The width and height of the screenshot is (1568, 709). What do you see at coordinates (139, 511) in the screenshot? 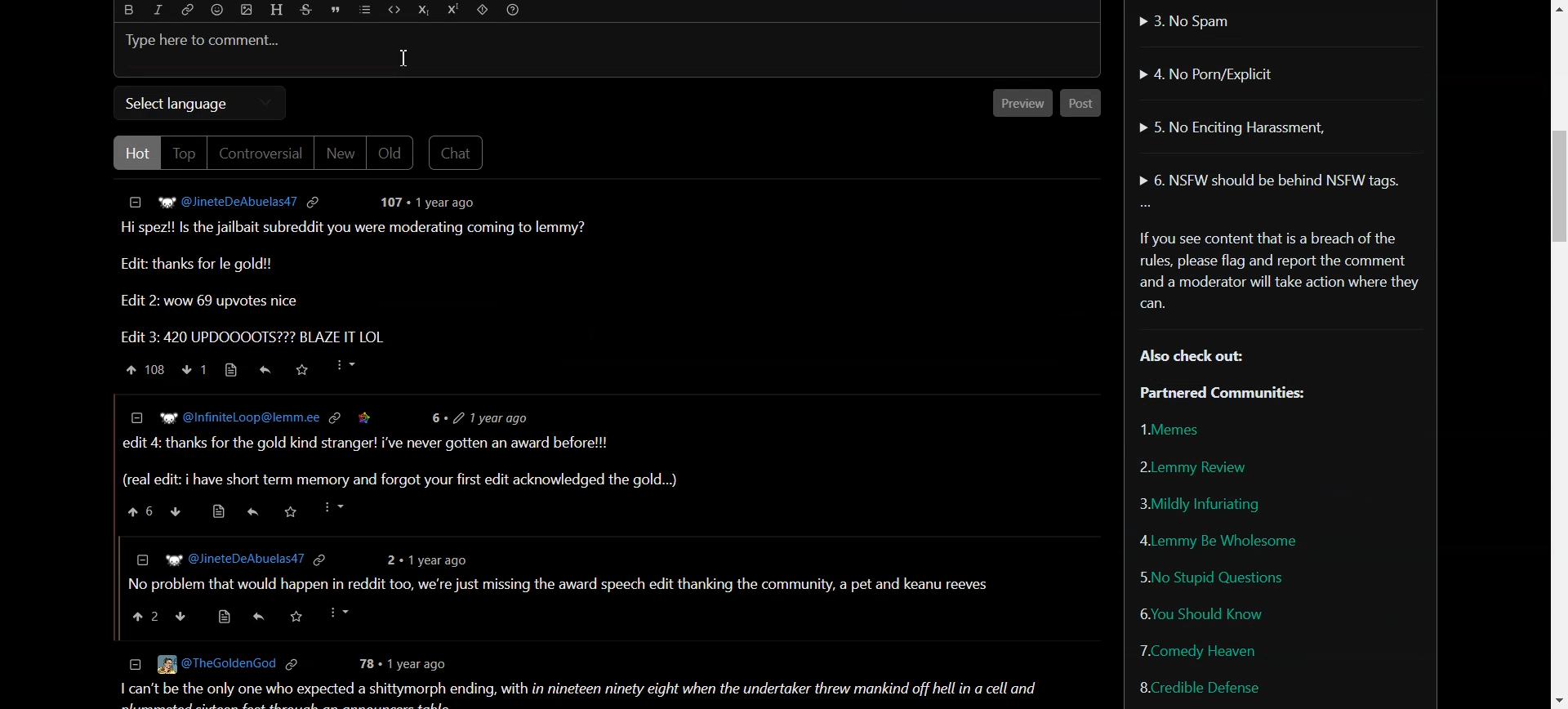
I see `upvote` at bounding box center [139, 511].